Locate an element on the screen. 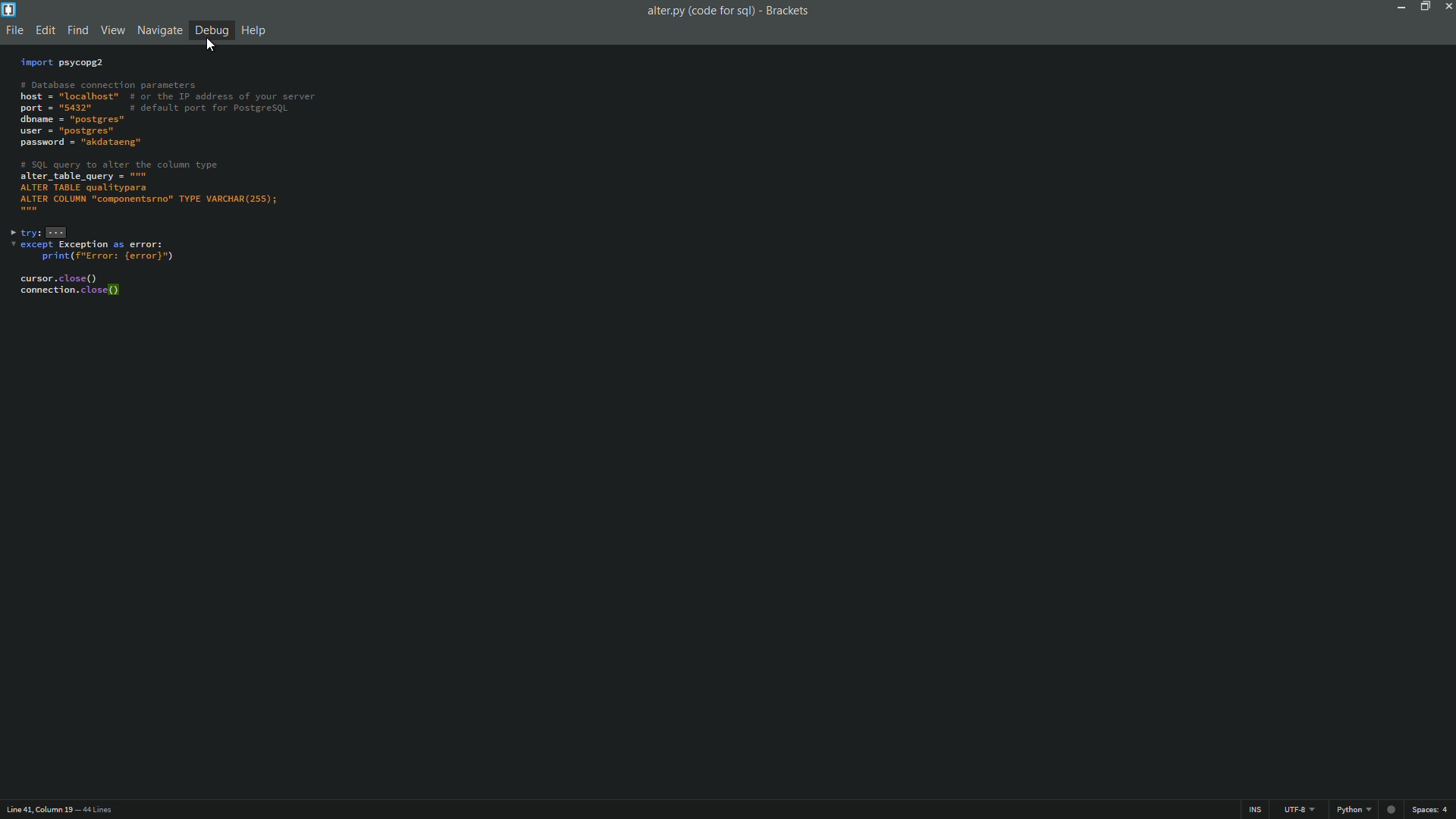 Image resolution: width=1456 pixels, height=819 pixels. file menu is located at coordinates (12, 30).